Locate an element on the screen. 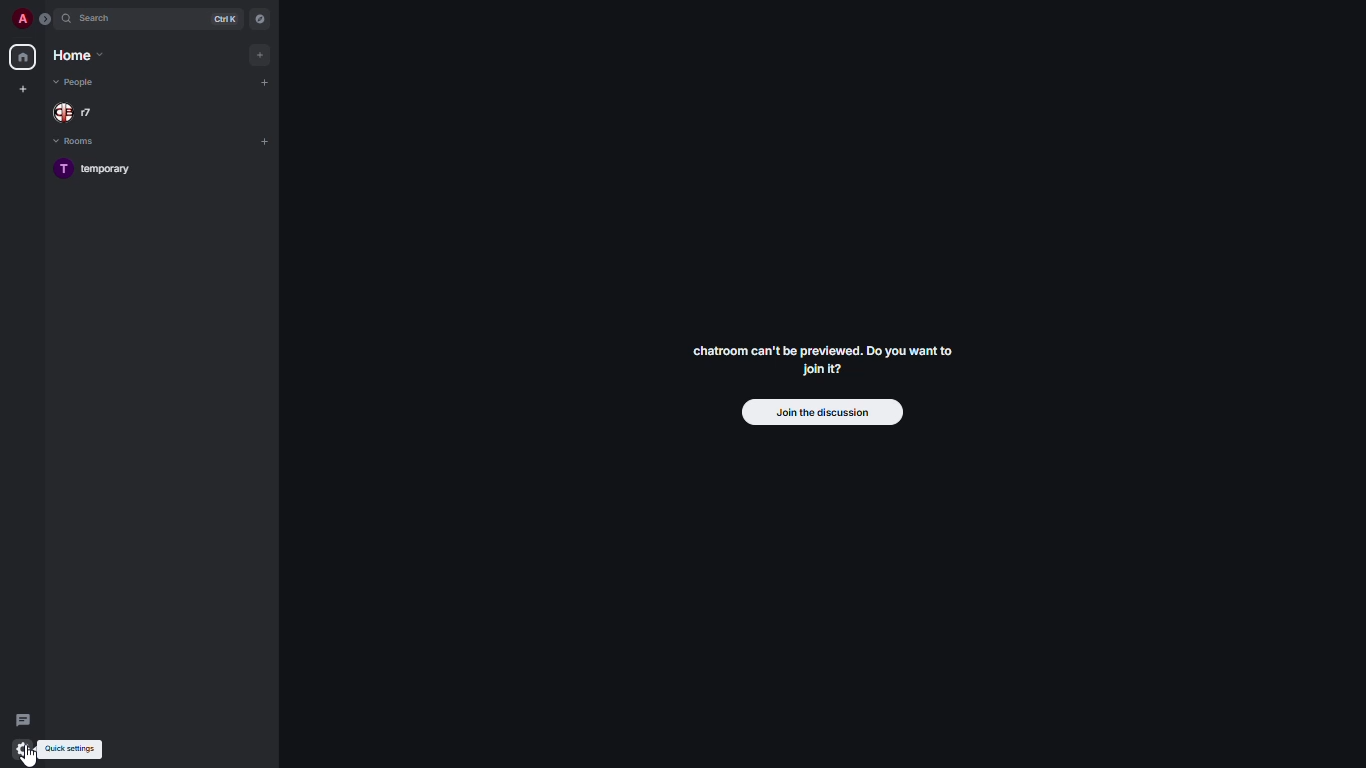  cursor is located at coordinates (31, 755).